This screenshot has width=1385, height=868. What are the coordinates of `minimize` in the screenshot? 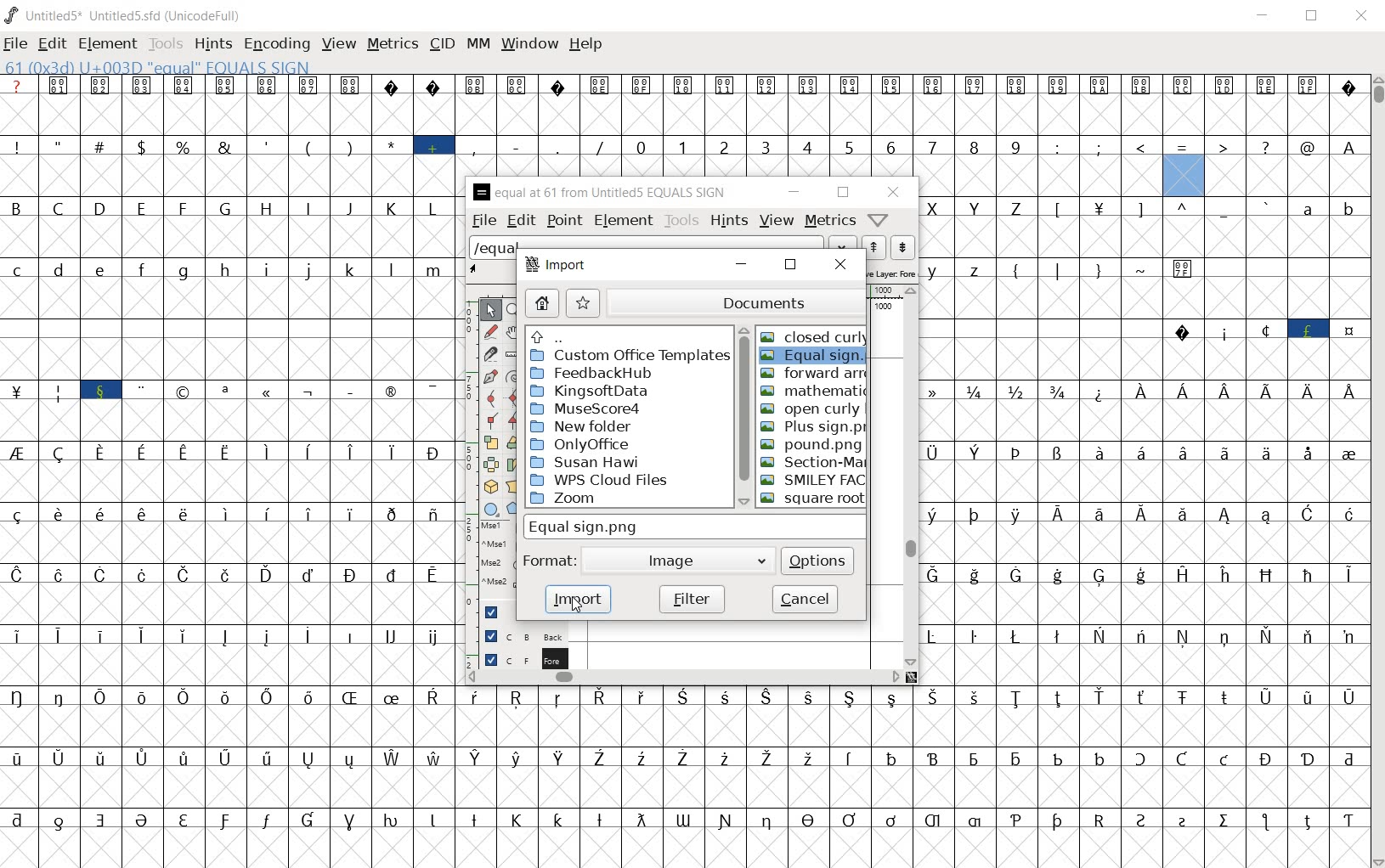 It's located at (740, 267).